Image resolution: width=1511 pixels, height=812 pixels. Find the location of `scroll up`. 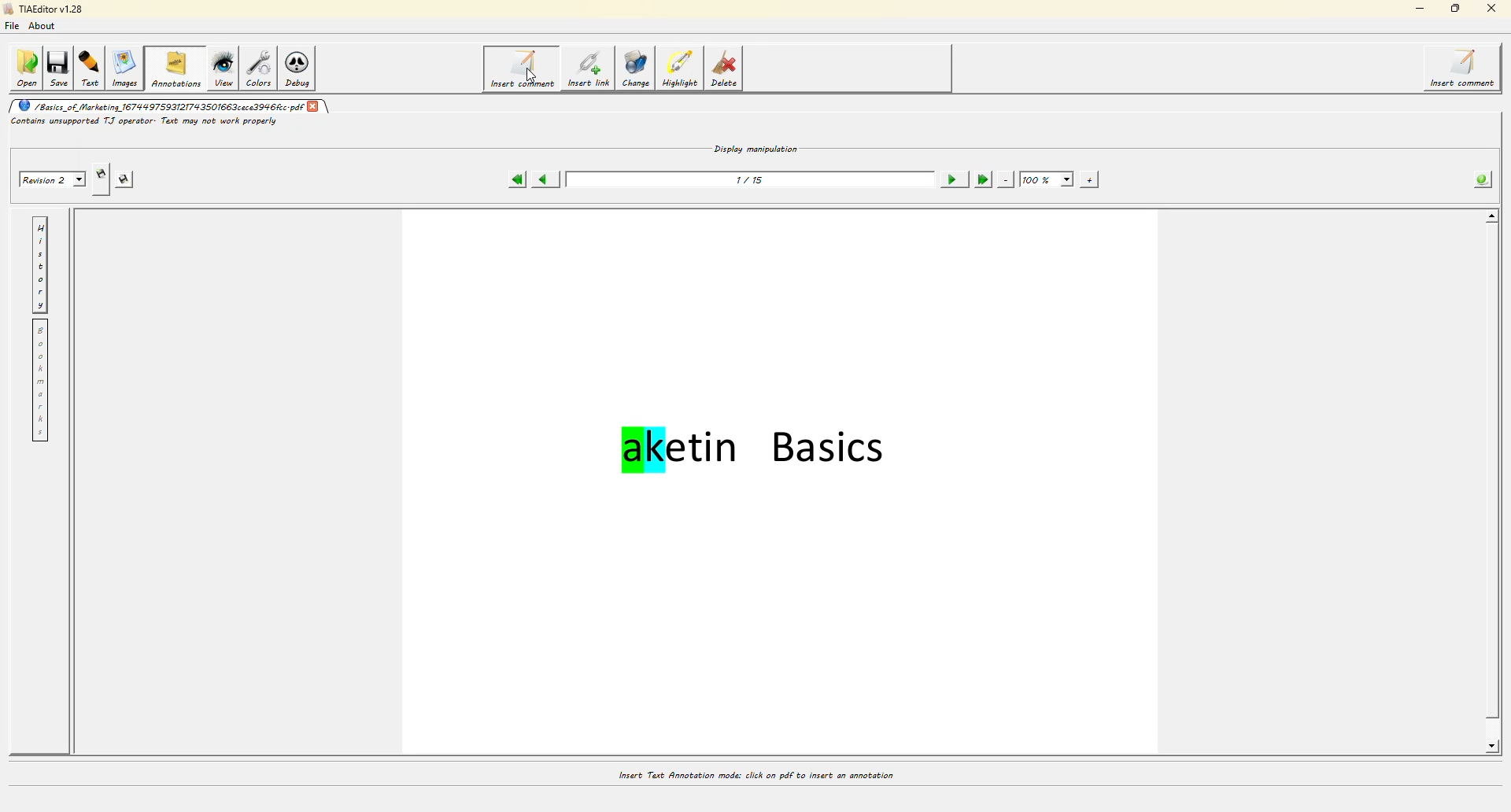

scroll up is located at coordinates (1489, 217).